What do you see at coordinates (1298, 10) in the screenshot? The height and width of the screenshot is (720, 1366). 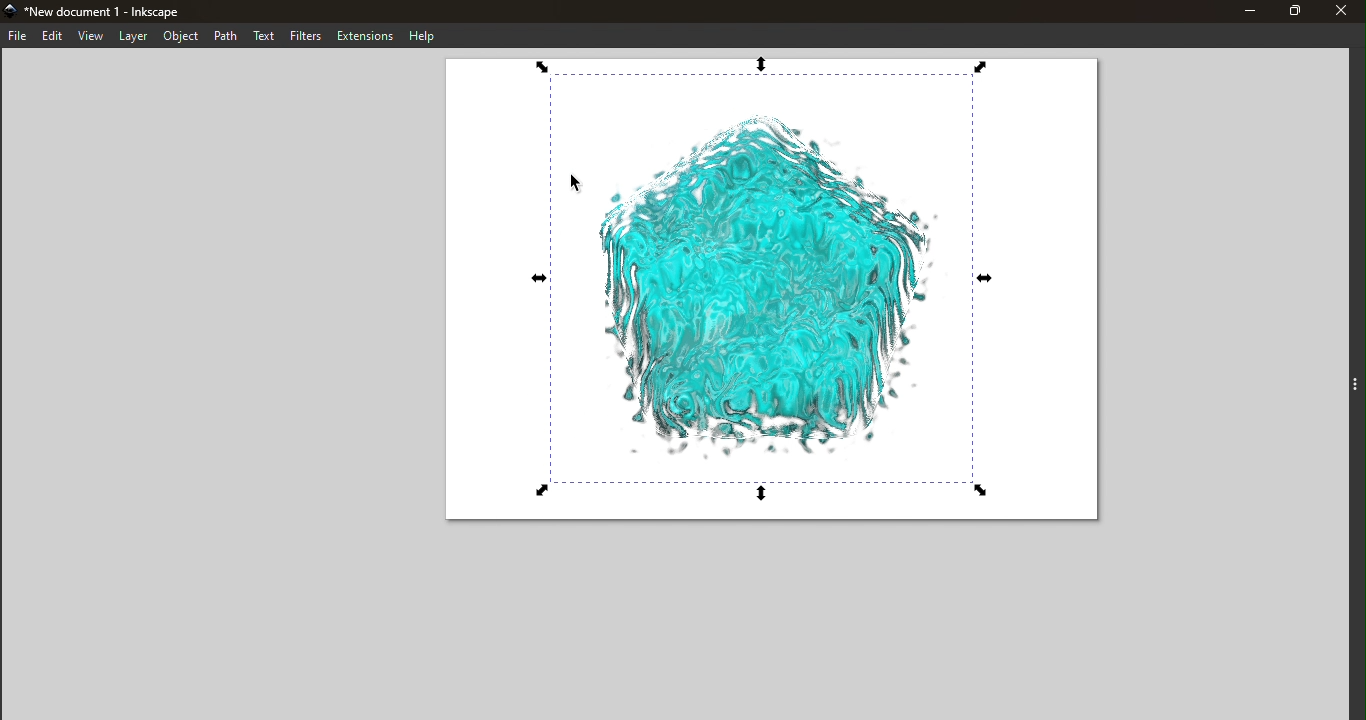 I see `Maximize` at bounding box center [1298, 10].